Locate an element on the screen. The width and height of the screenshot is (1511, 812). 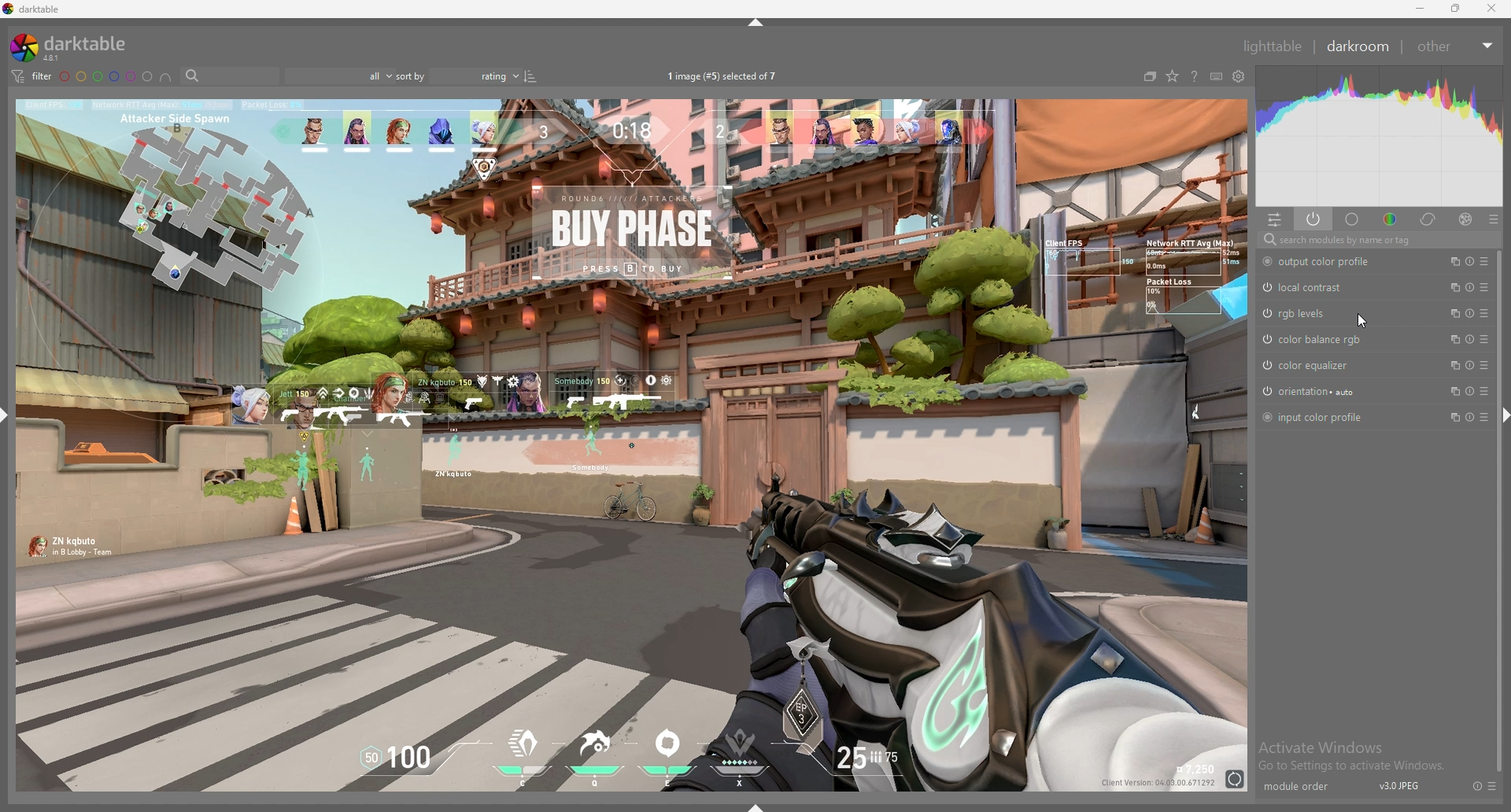
search bar is located at coordinates (230, 76).